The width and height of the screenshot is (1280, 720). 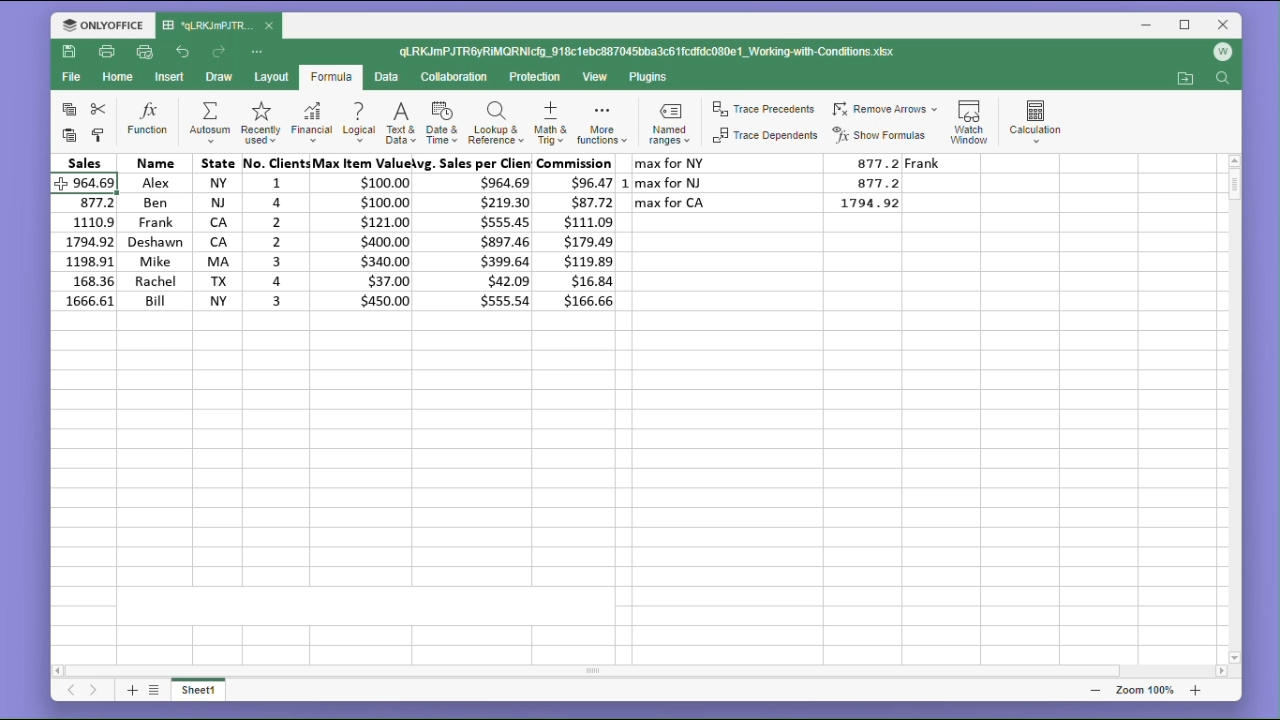 What do you see at coordinates (774, 182) in the screenshot?
I see `max for NJ 877.2` at bounding box center [774, 182].